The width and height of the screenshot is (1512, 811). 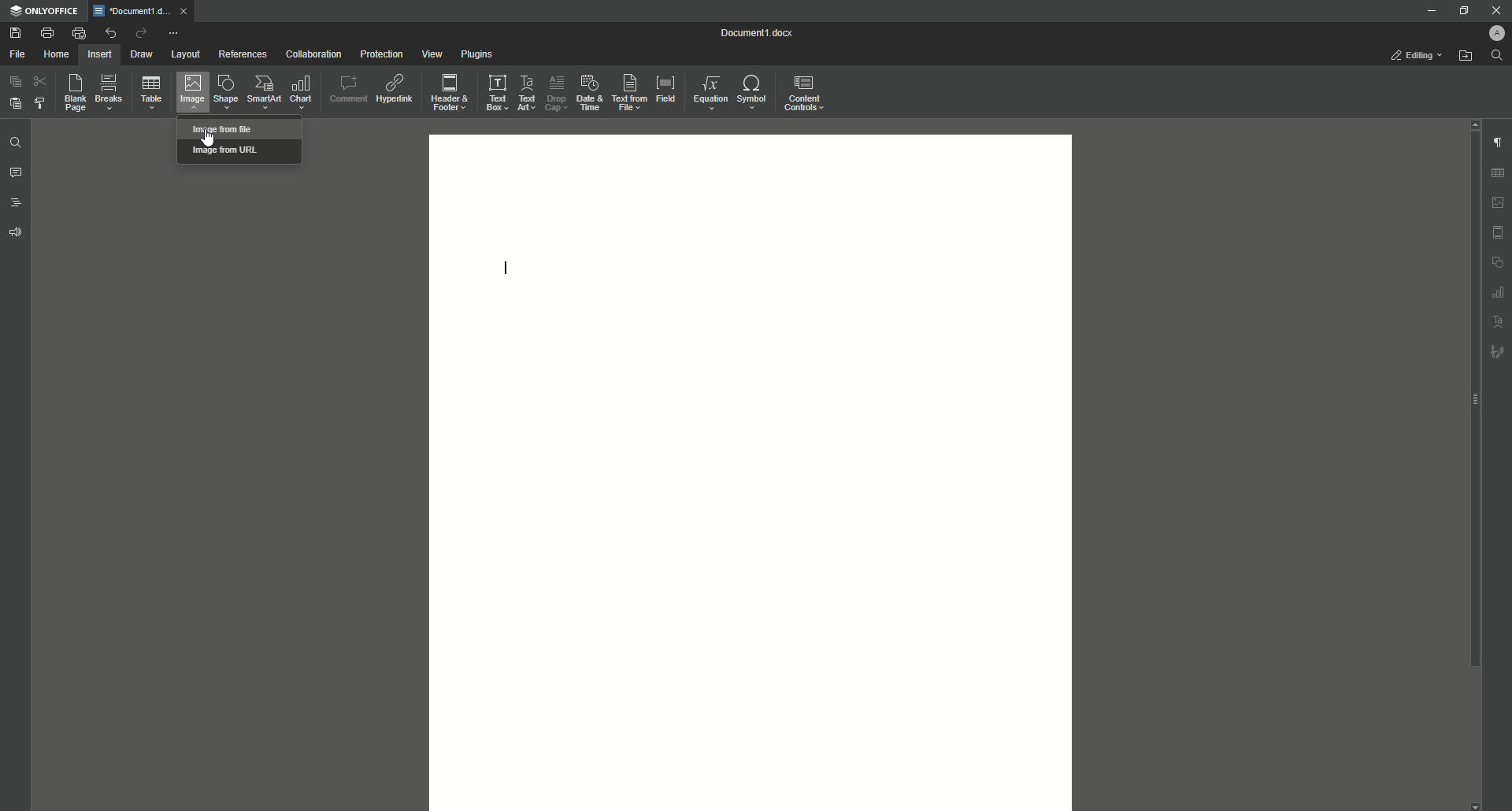 I want to click on Paste, so click(x=15, y=103).